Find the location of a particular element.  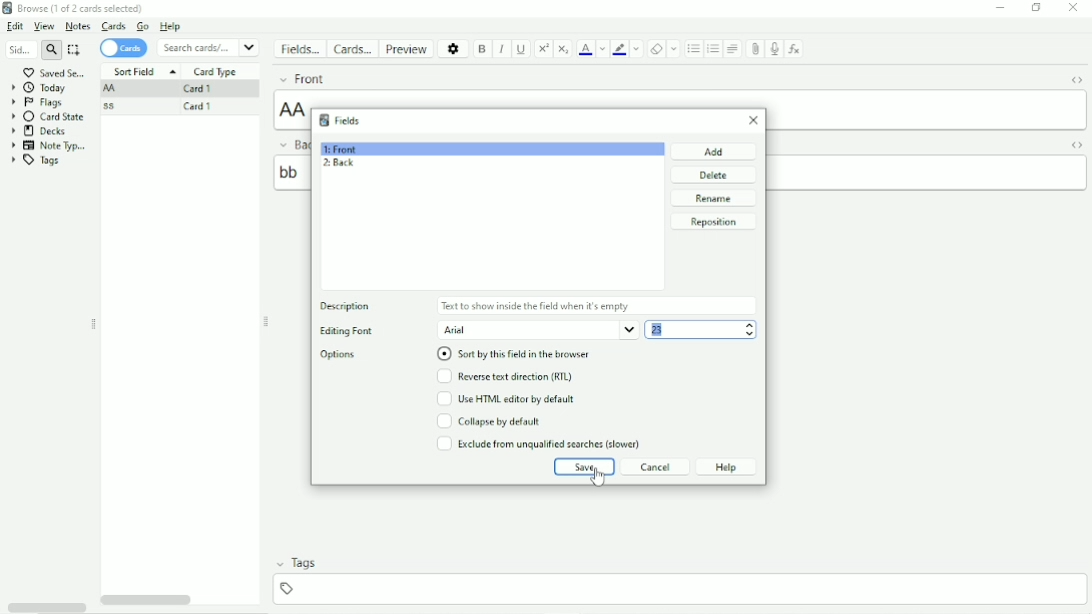

Bold is located at coordinates (483, 49).